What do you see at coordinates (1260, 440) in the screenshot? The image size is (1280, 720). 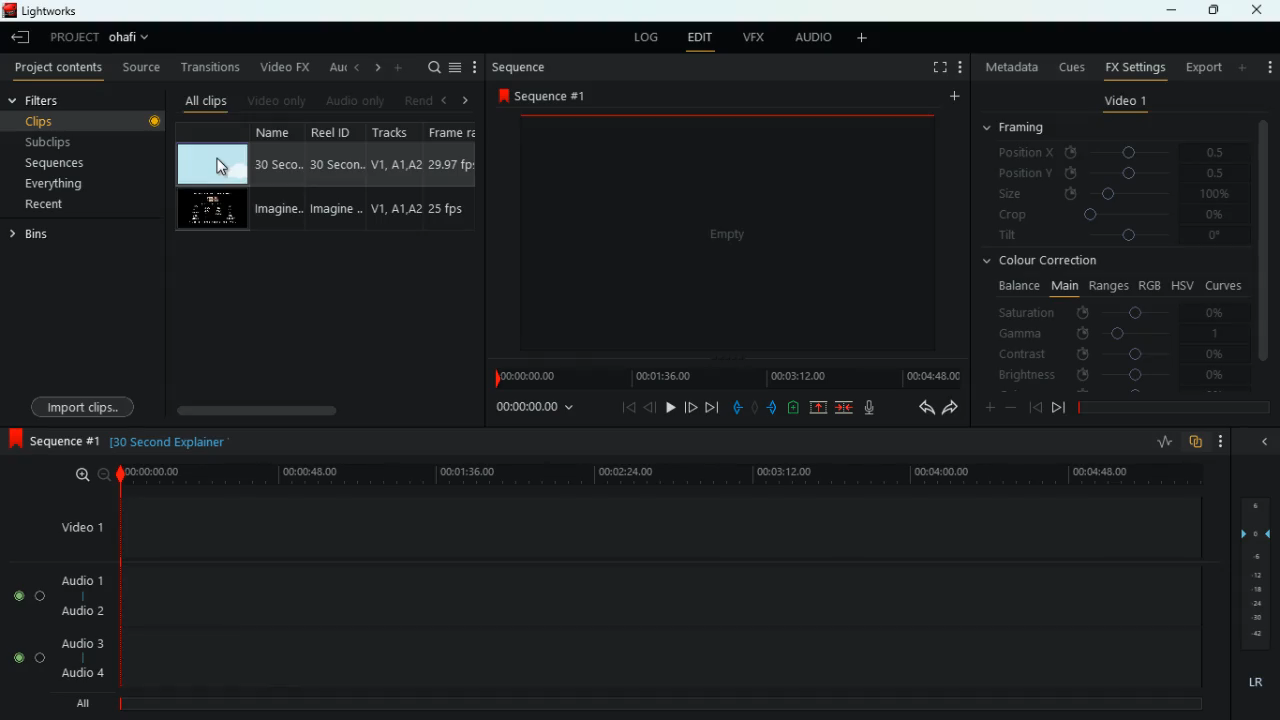 I see `hide` at bounding box center [1260, 440].